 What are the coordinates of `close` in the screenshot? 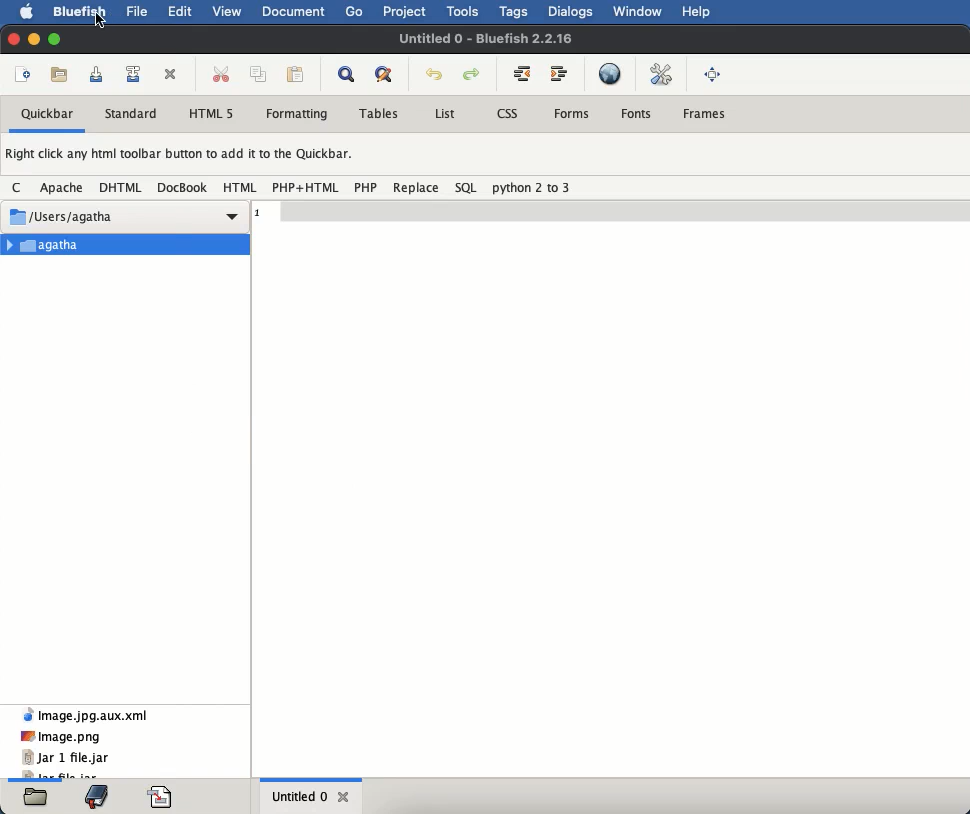 It's located at (345, 797).